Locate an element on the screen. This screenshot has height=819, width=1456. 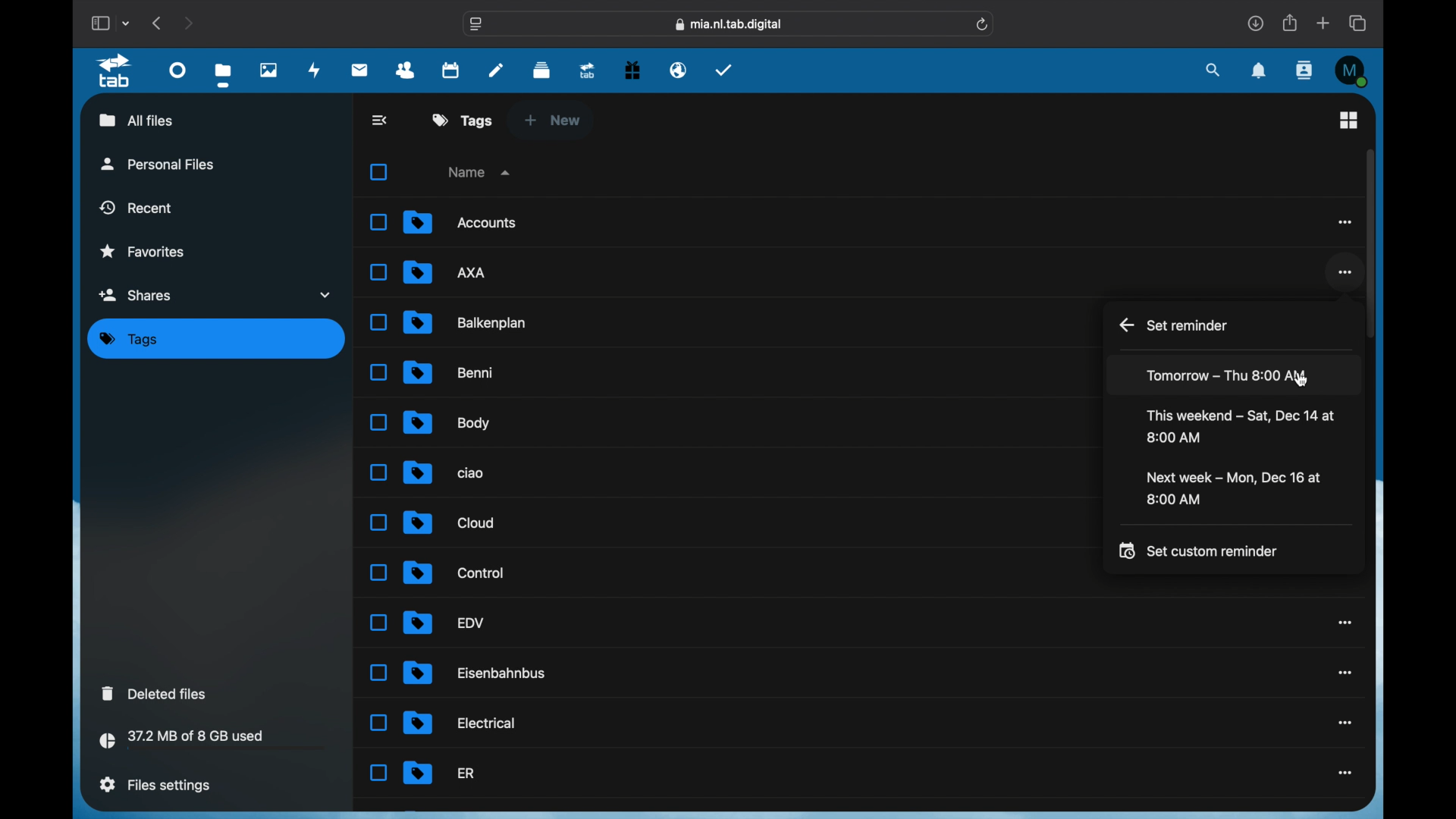
Unselected Checkbox is located at coordinates (378, 723).